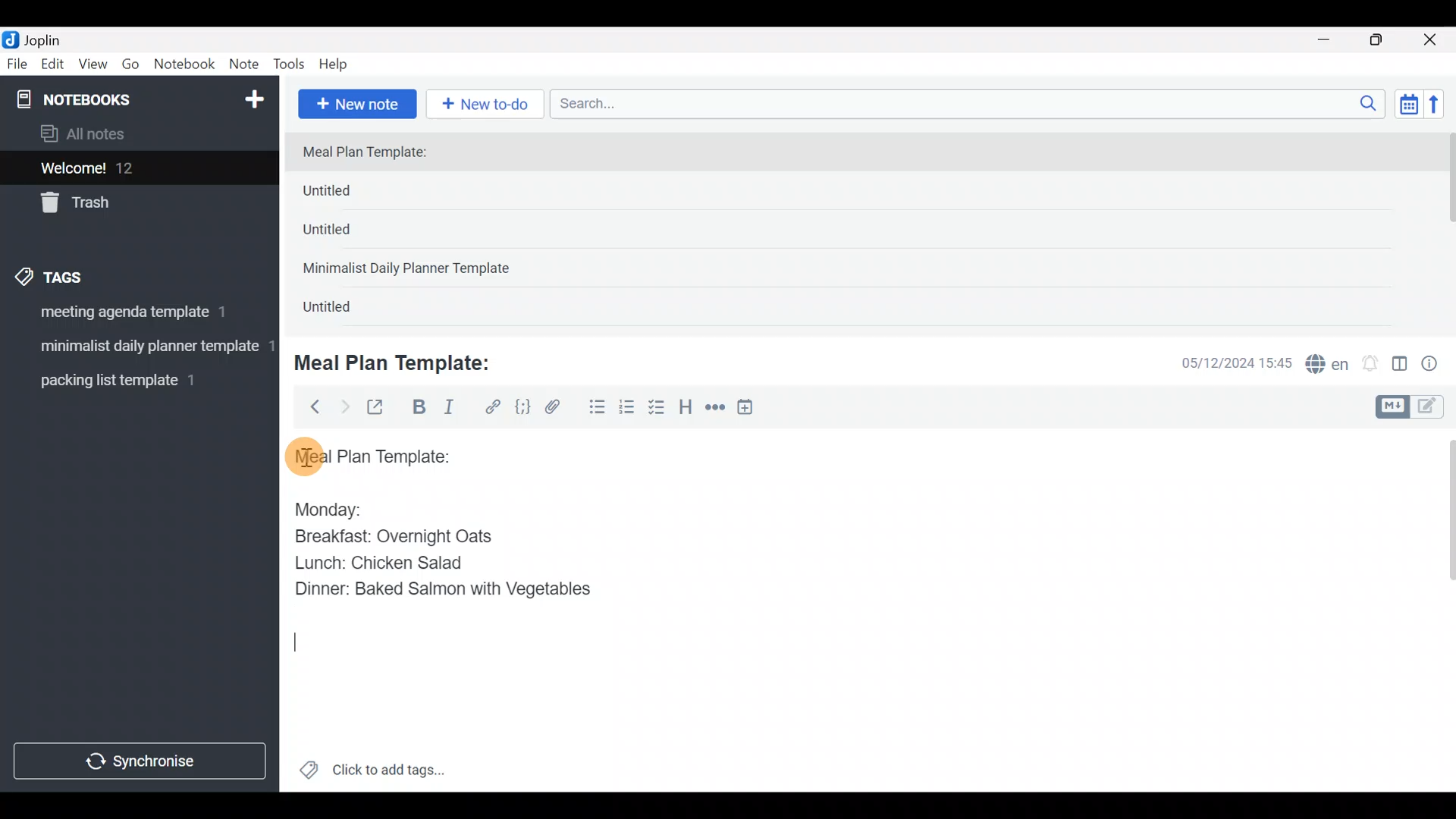 Image resolution: width=1456 pixels, height=819 pixels. Describe the element at coordinates (253, 96) in the screenshot. I see `New` at that location.